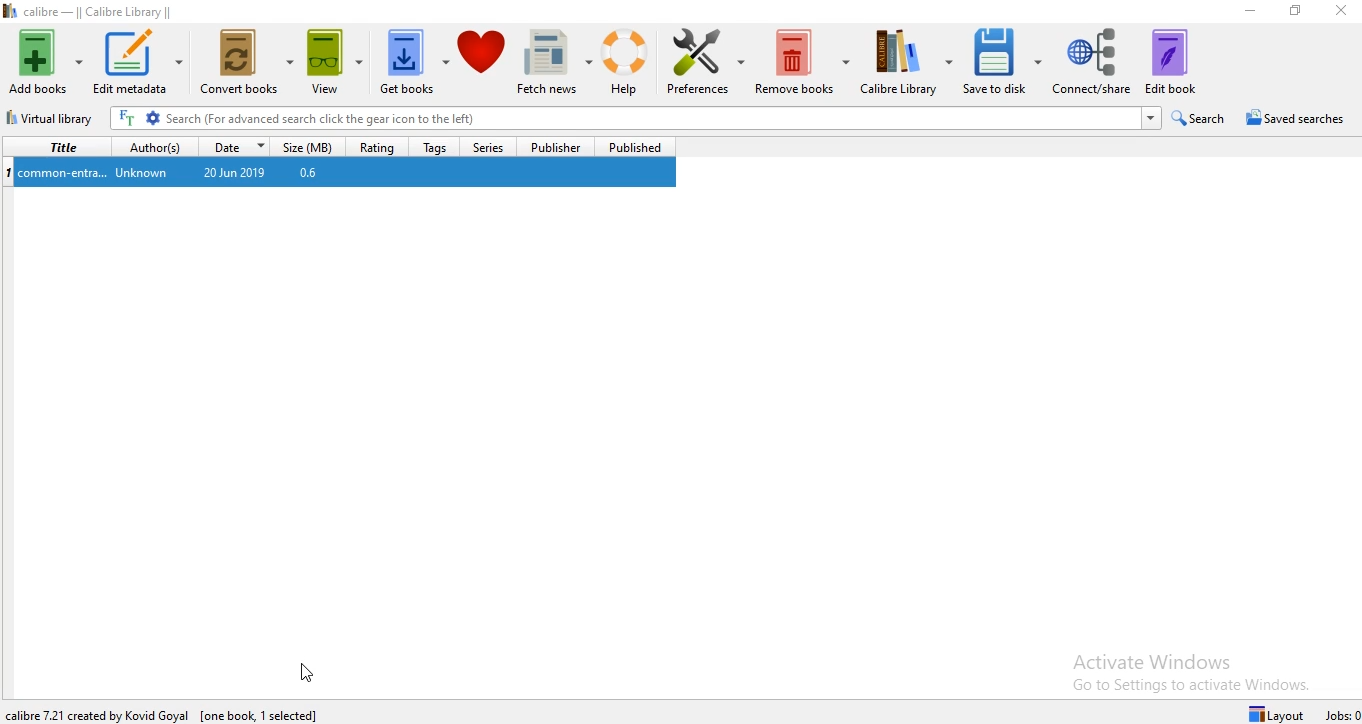 Image resolution: width=1362 pixels, height=724 pixels. Describe the element at coordinates (244, 61) in the screenshot. I see `Convert books` at that location.